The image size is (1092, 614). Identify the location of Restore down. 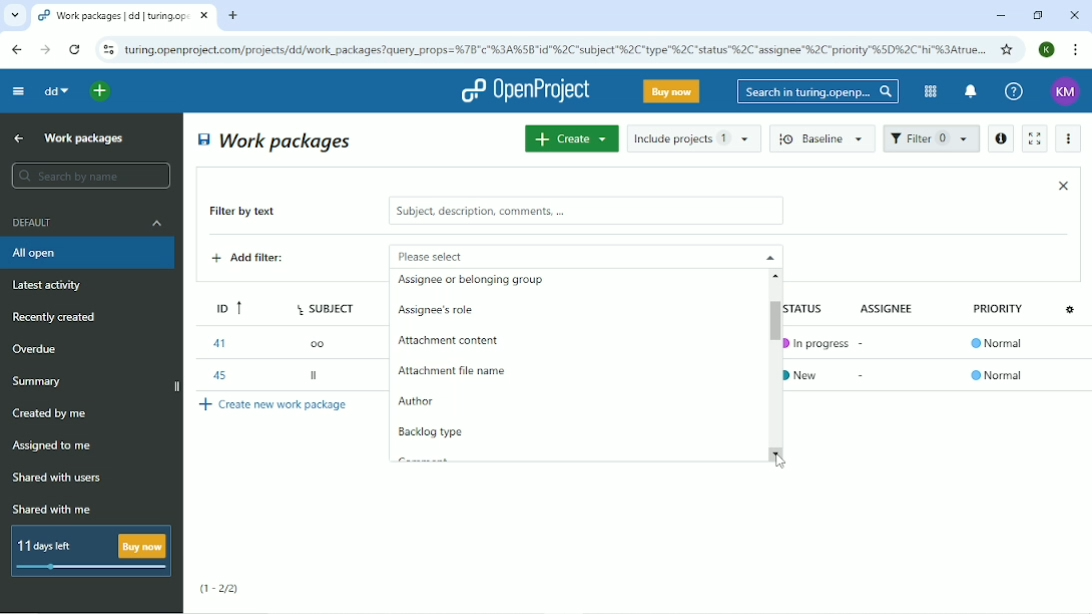
(1037, 15).